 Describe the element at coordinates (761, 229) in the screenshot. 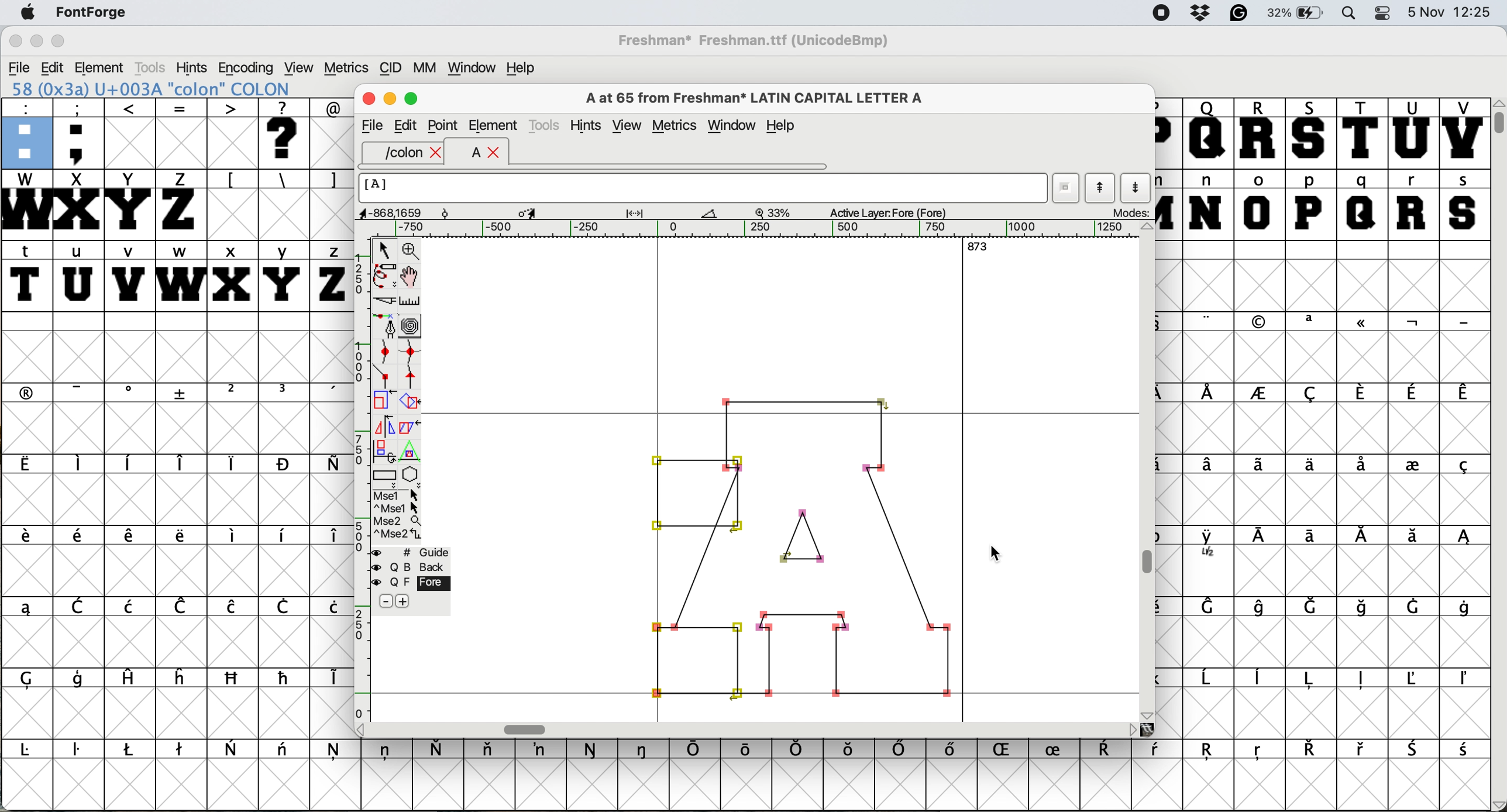

I see `horizontal scale` at that location.